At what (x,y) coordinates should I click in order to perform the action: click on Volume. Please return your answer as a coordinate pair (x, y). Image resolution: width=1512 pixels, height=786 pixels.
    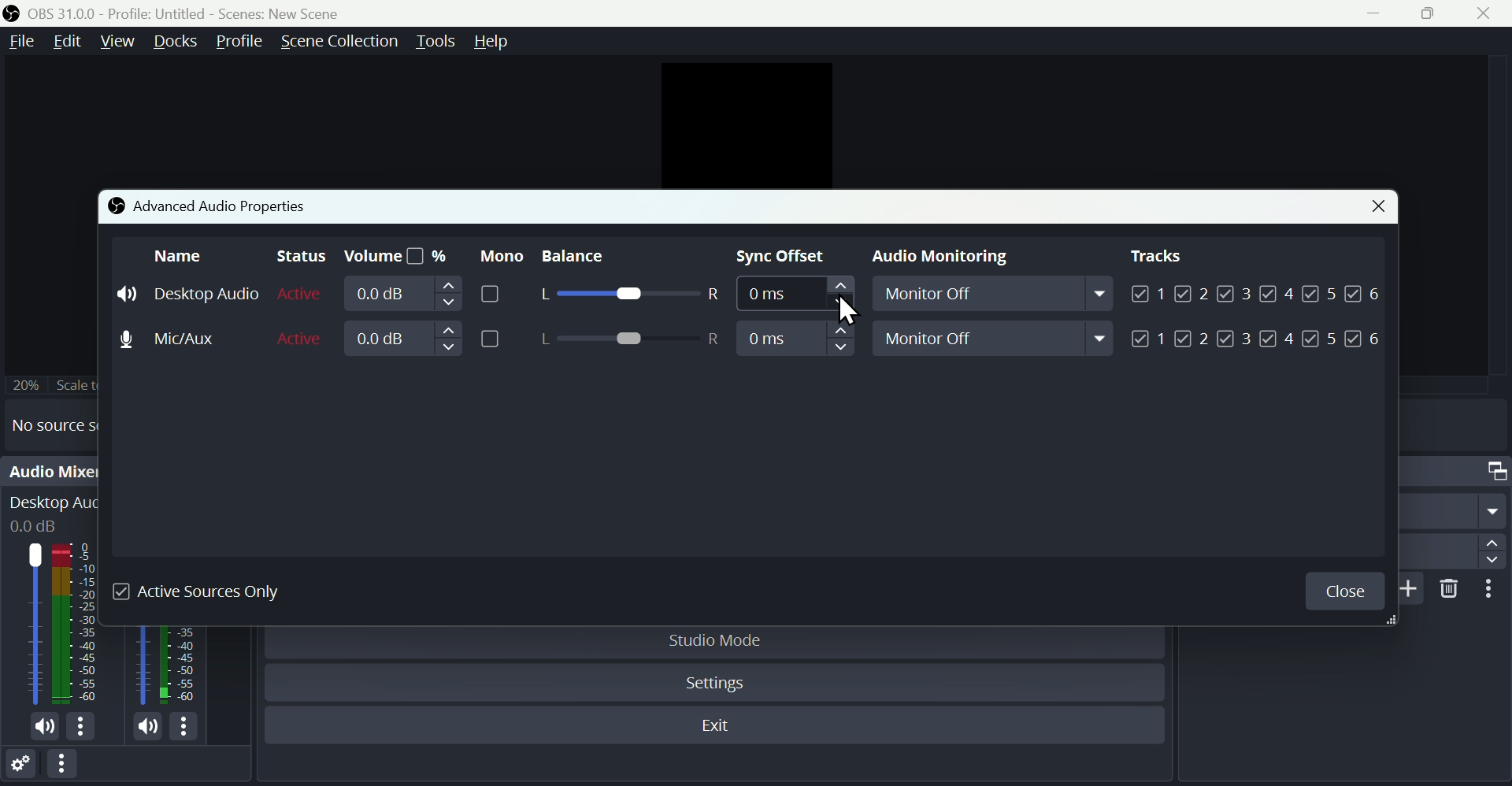
    Looking at the image, I should click on (428, 294).